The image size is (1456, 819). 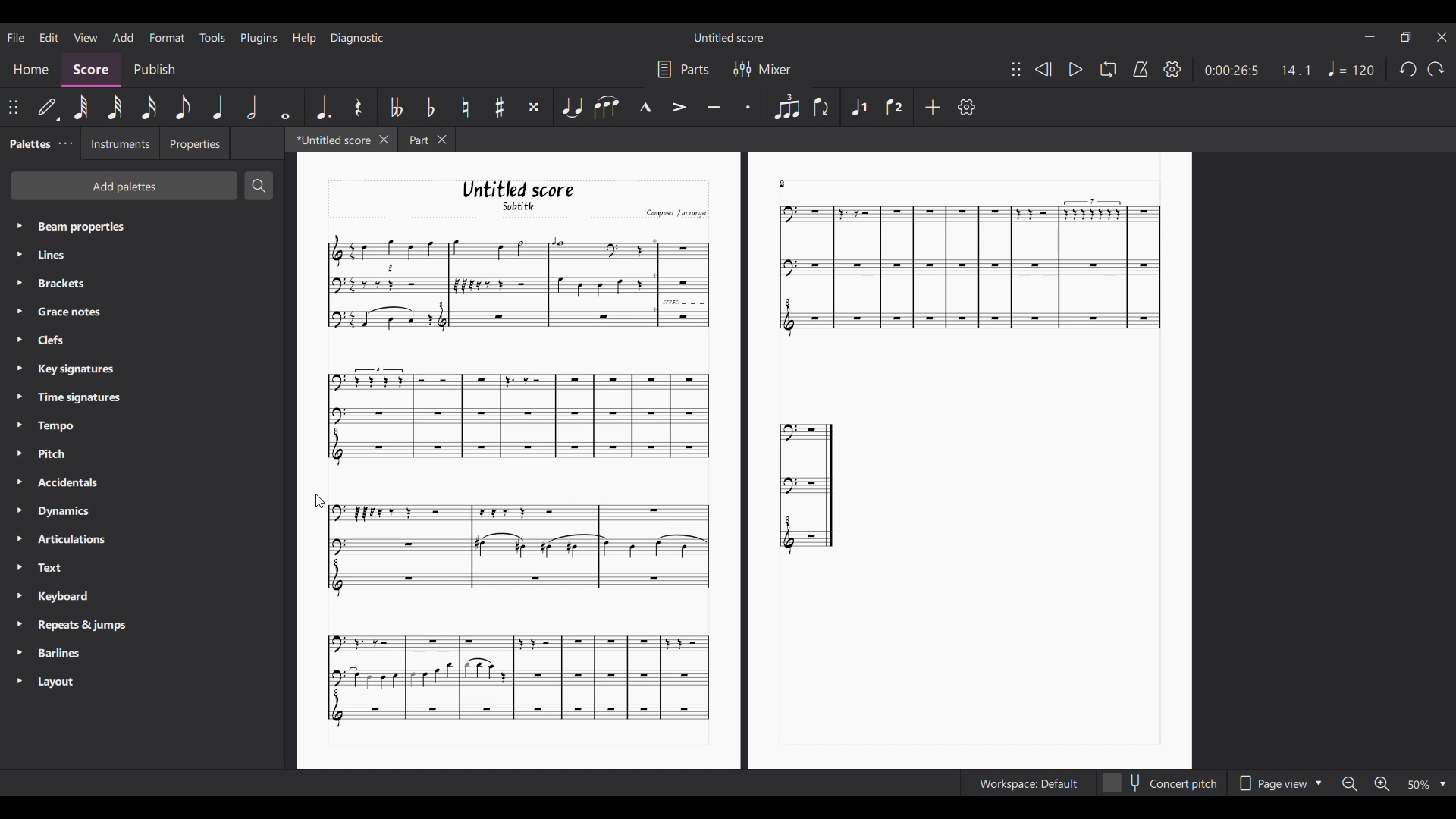 What do you see at coordinates (534, 107) in the screenshot?
I see `Toggle double sharp` at bounding box center [534, 107].